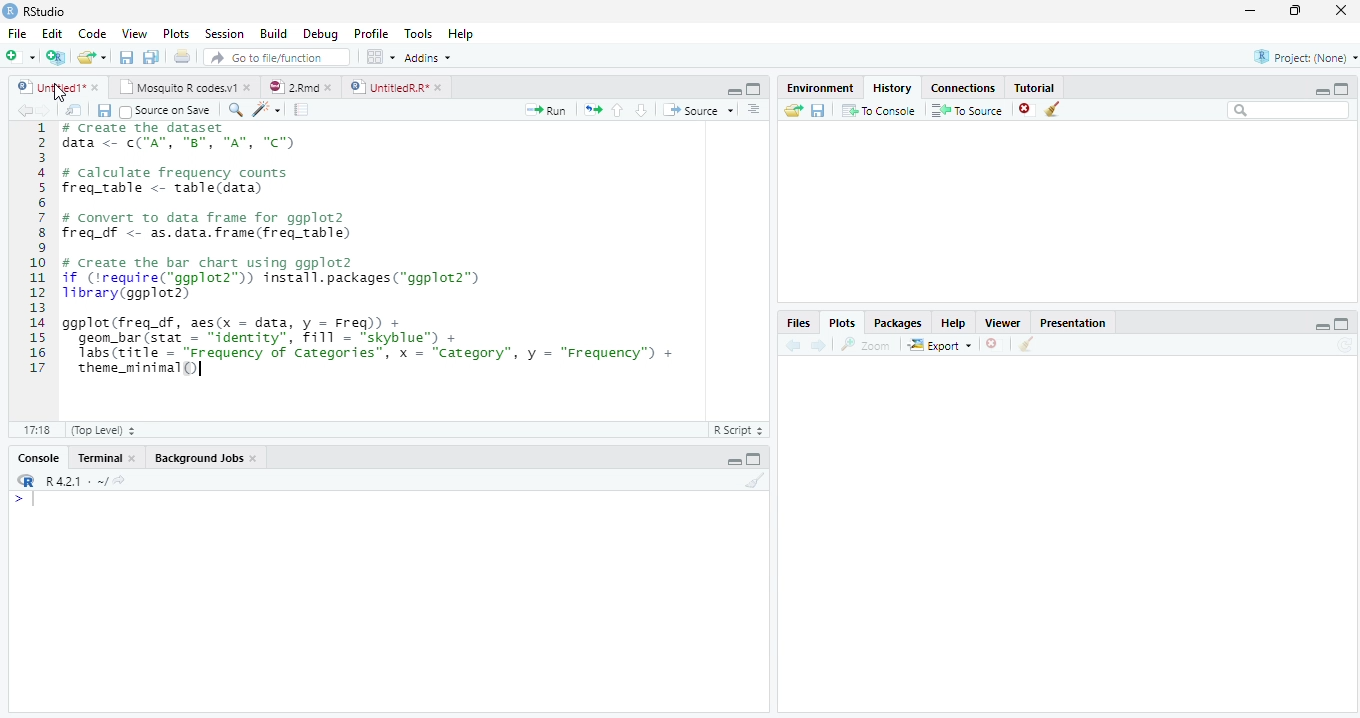  Describe the element at coordinates (126, 58) in the screenshot. I see `Save` at that location.